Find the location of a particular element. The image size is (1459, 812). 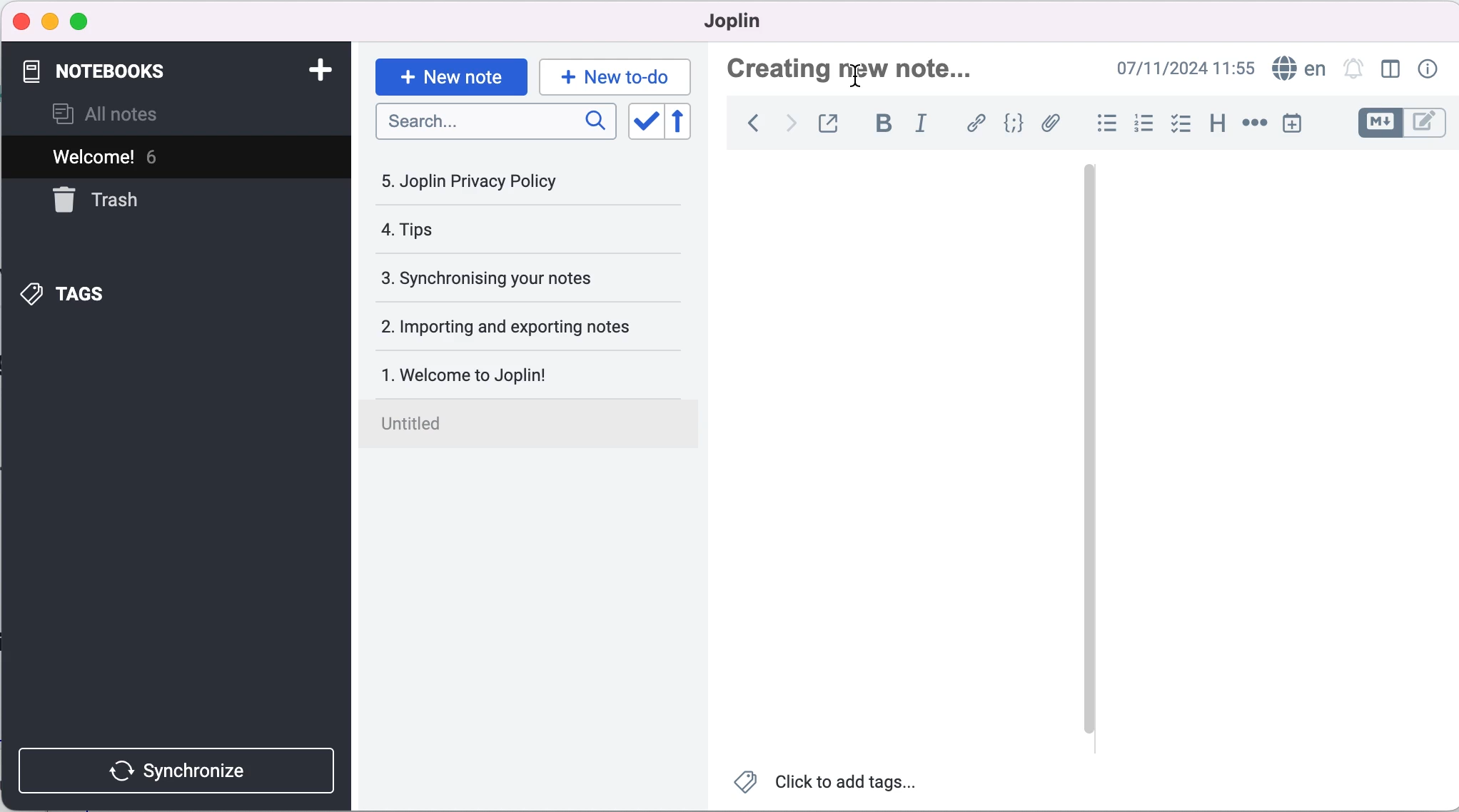

blank canvas is located at coordinates (1278, 456).